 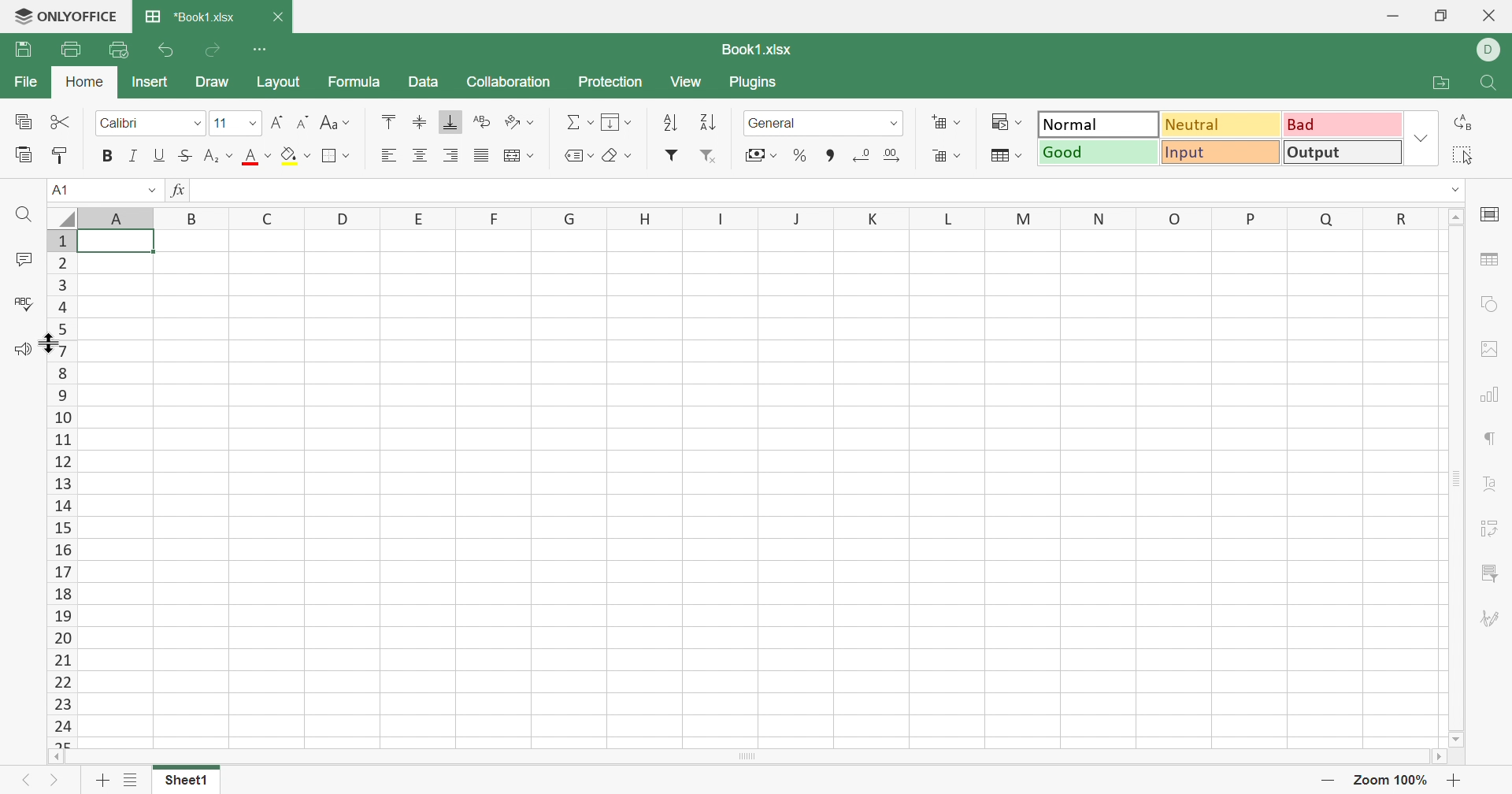 What do you see at coordinates (1490, 303) in the screenshot?
I see `Shape settings` at bounding box center [1490, 303].